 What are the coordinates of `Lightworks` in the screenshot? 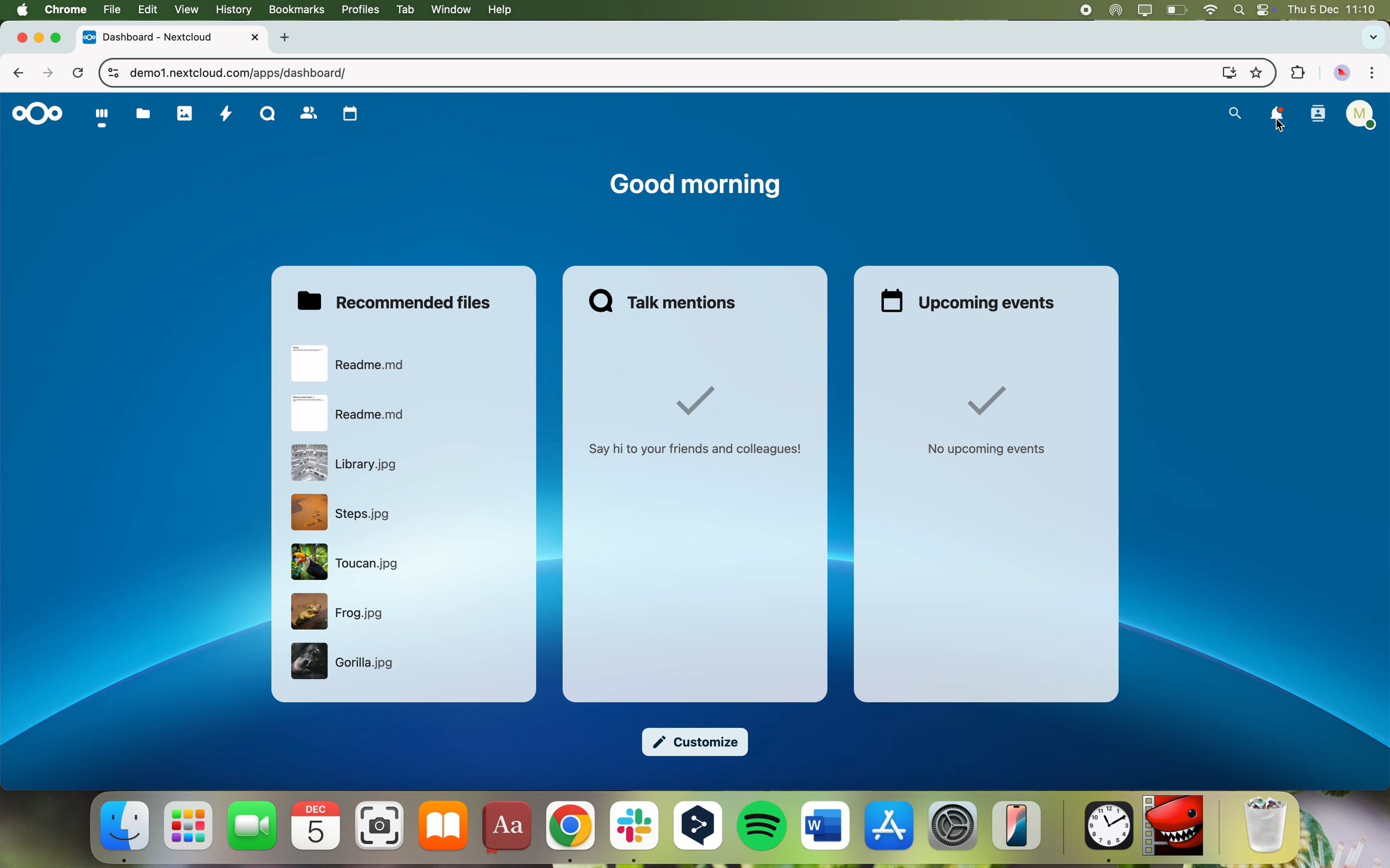 It's located at (1173, 827).